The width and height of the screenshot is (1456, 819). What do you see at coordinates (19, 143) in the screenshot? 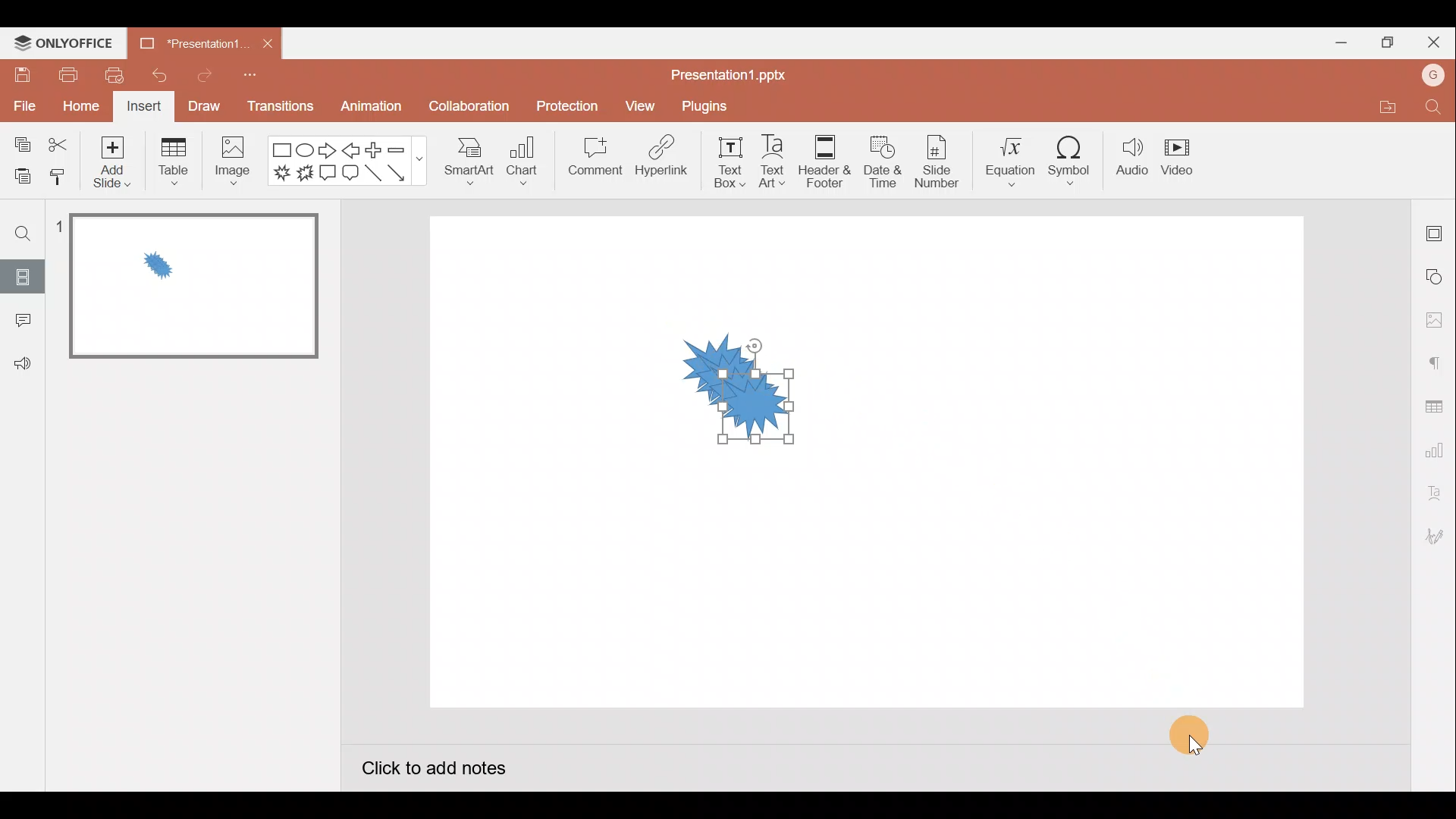
I see `Copy` at bounding box center [19, 143].